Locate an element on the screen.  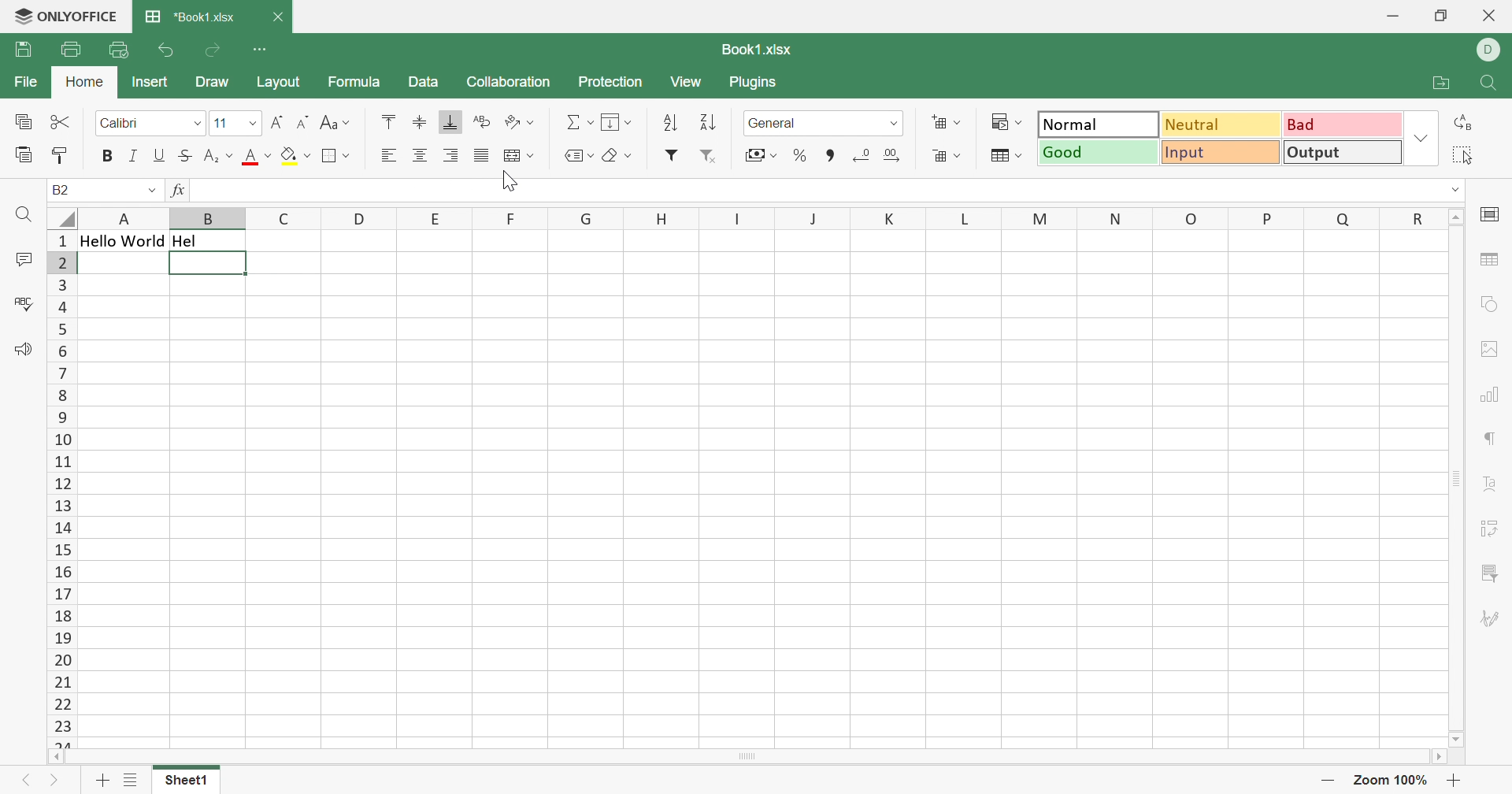
Orientation is located at coordinates (518, 124).